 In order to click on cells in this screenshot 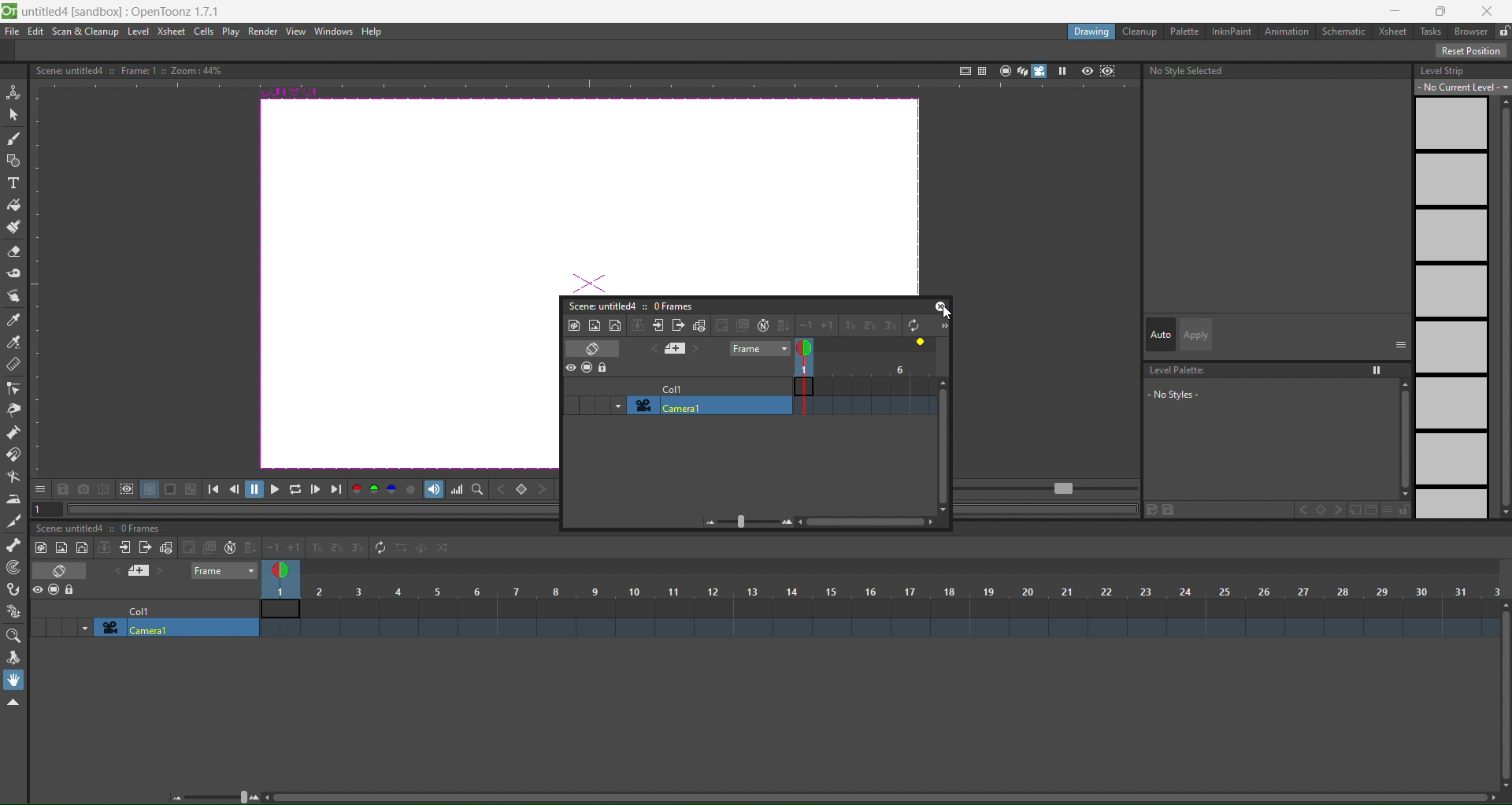, I will do `click(205, 31)`.